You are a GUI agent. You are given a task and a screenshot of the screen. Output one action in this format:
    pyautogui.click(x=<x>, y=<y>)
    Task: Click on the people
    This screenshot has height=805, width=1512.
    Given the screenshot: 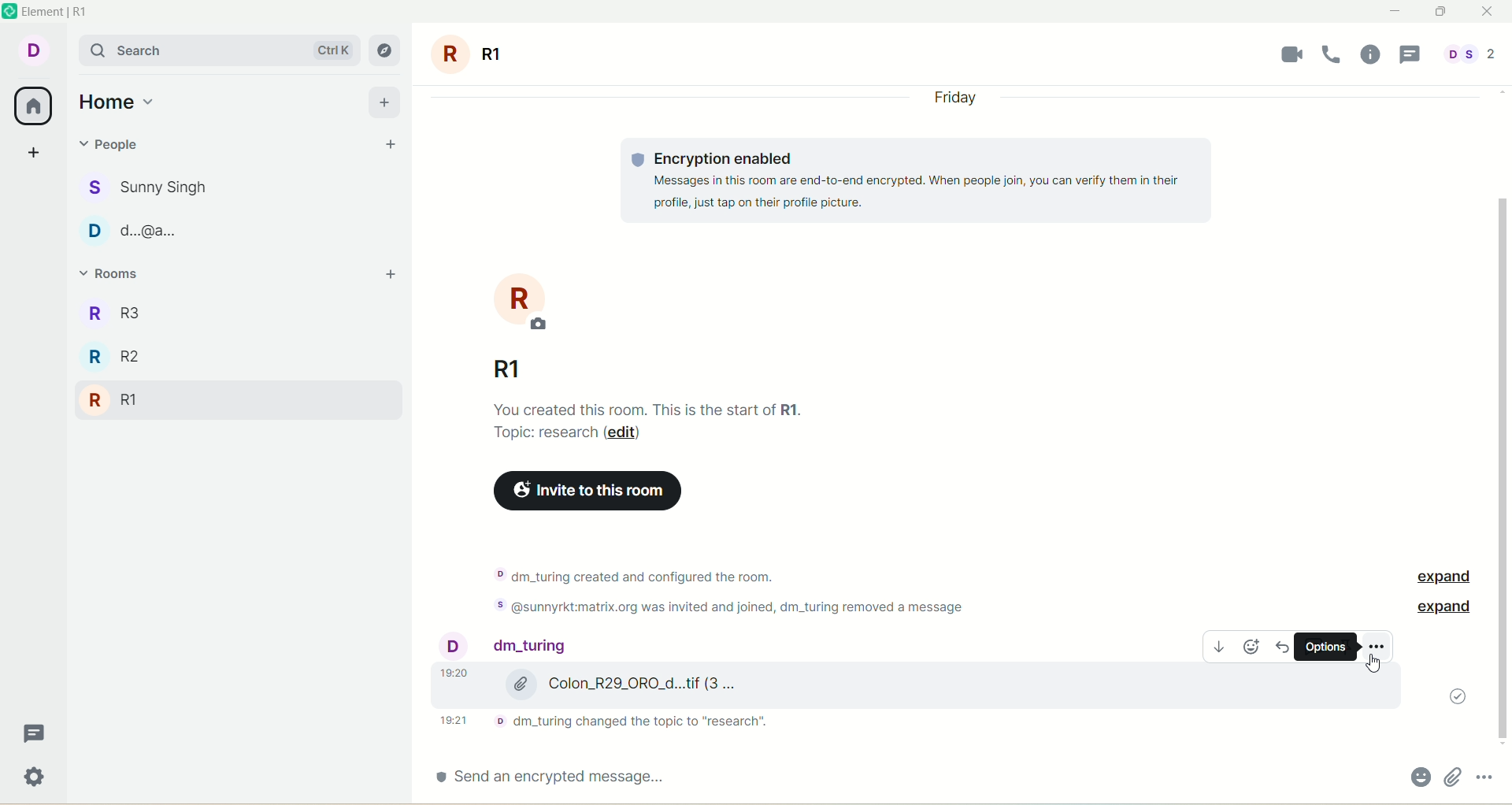 What is the action you would take?
    pyautogui.click(x=121, y=148)
    